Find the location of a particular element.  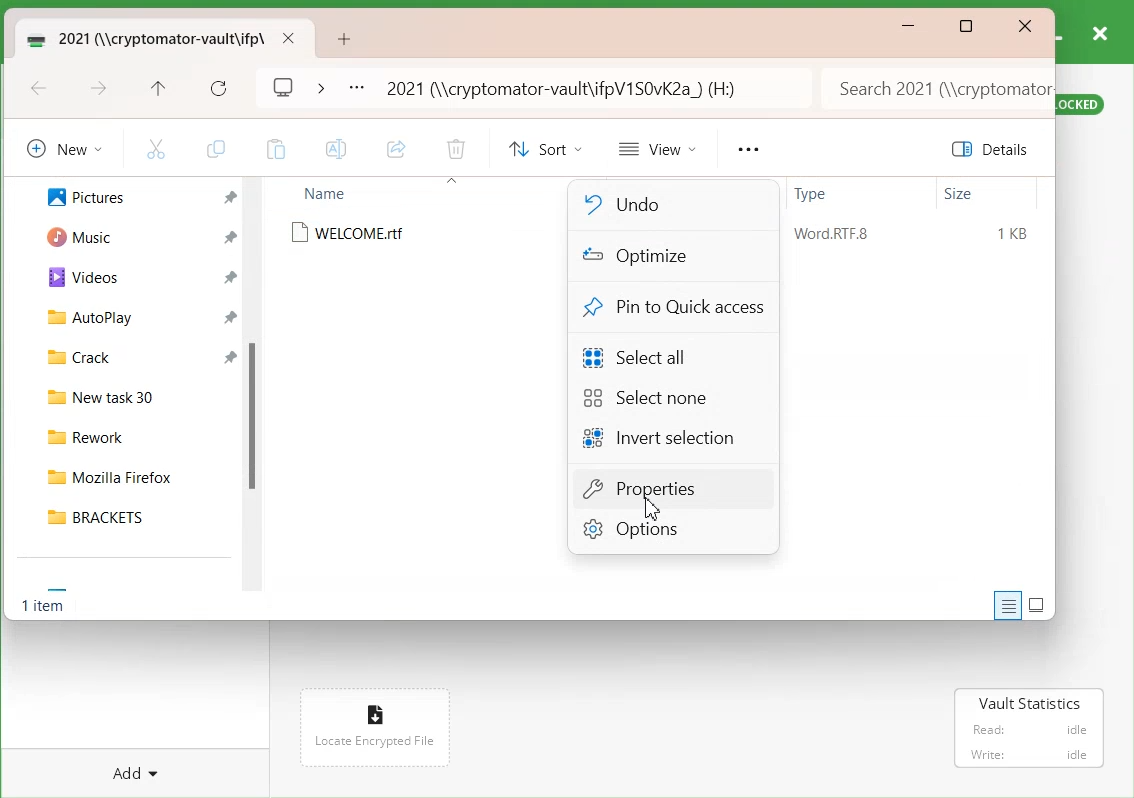

Size is located at coordinates (959, 194).